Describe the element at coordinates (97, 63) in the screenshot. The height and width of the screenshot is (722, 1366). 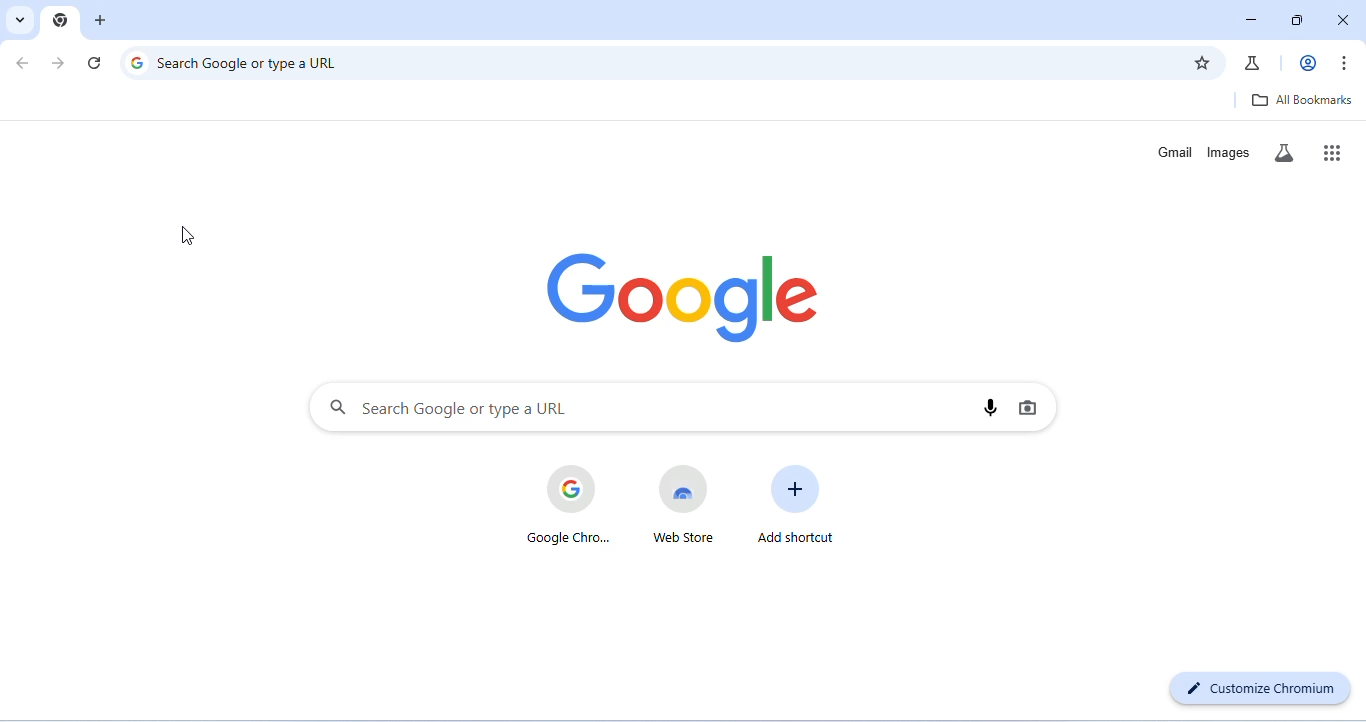
I see `refresh` at that location.